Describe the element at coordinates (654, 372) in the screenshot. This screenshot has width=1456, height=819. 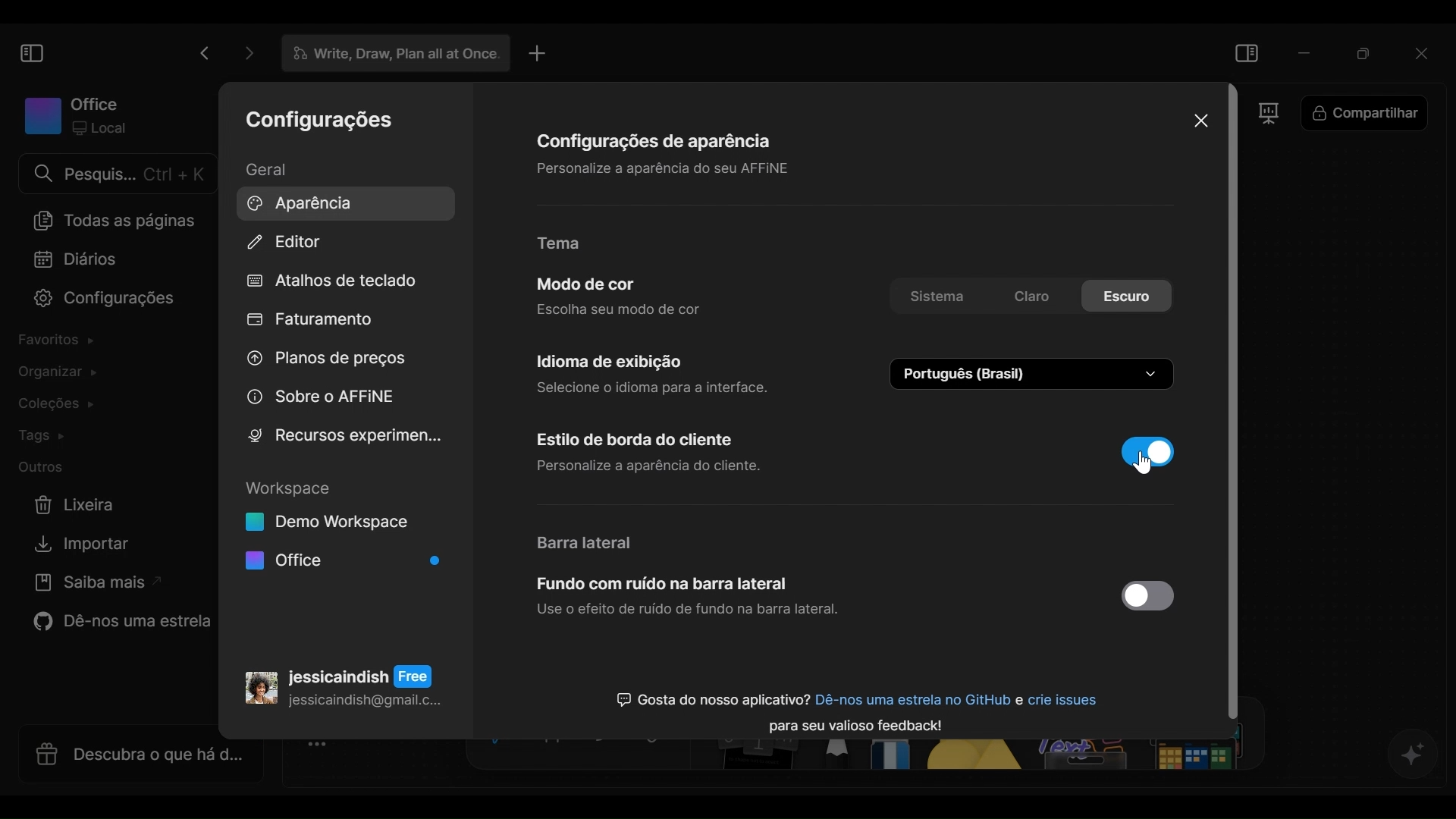
I see `Display settings` at that location.